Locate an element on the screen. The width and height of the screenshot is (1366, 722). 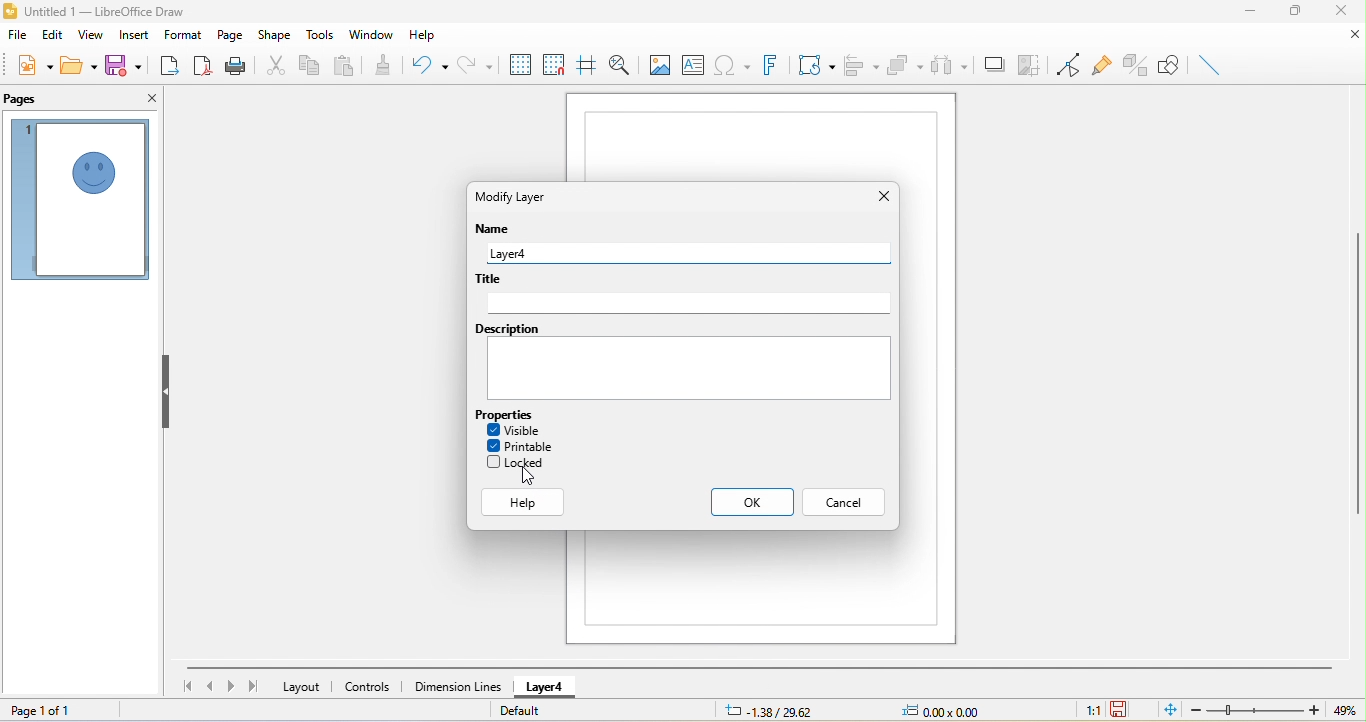
close is located at coordinates (1346, 37).